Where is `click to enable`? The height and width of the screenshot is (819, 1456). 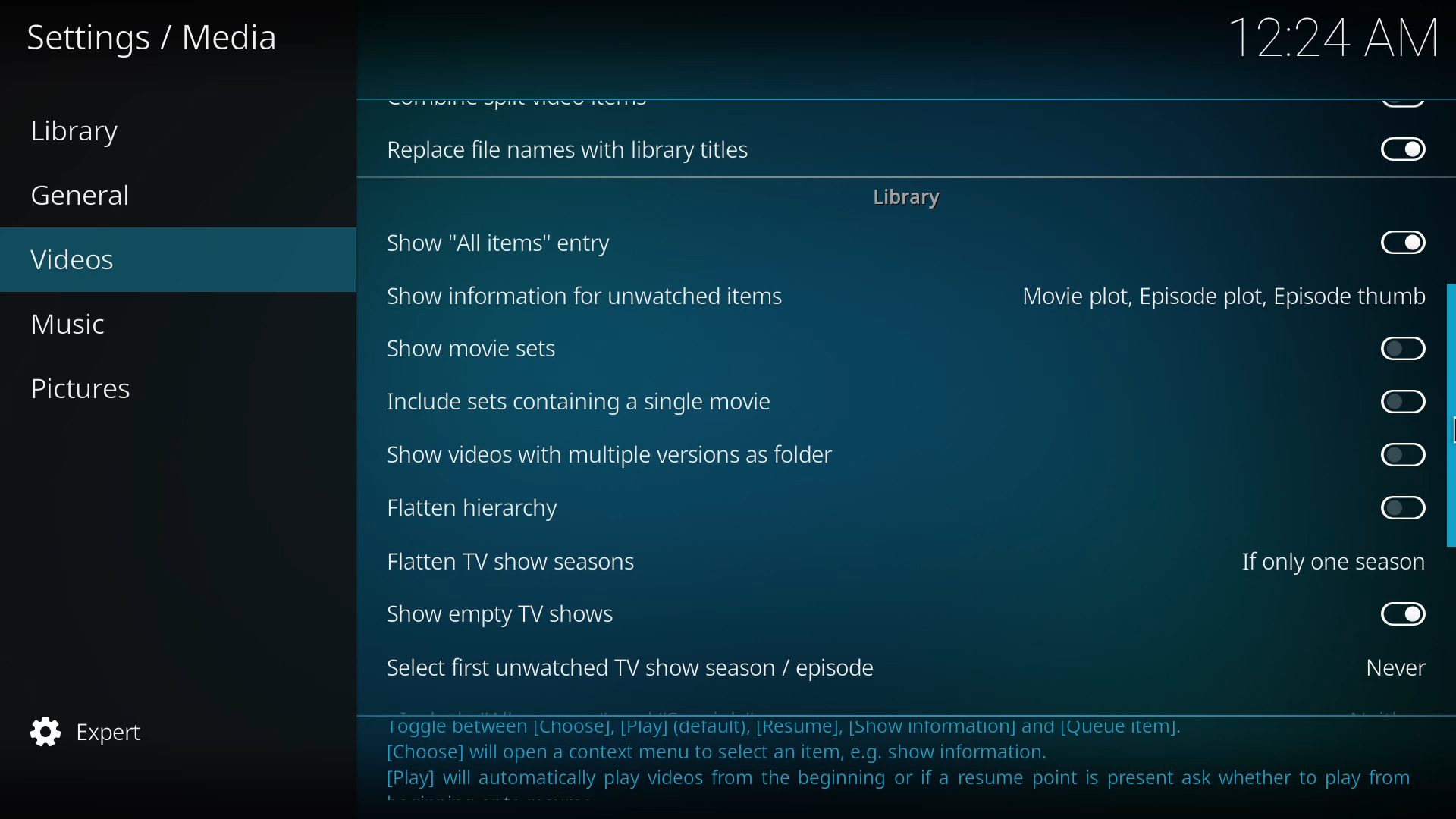 click to enable is located at coordinates (1398, 451).